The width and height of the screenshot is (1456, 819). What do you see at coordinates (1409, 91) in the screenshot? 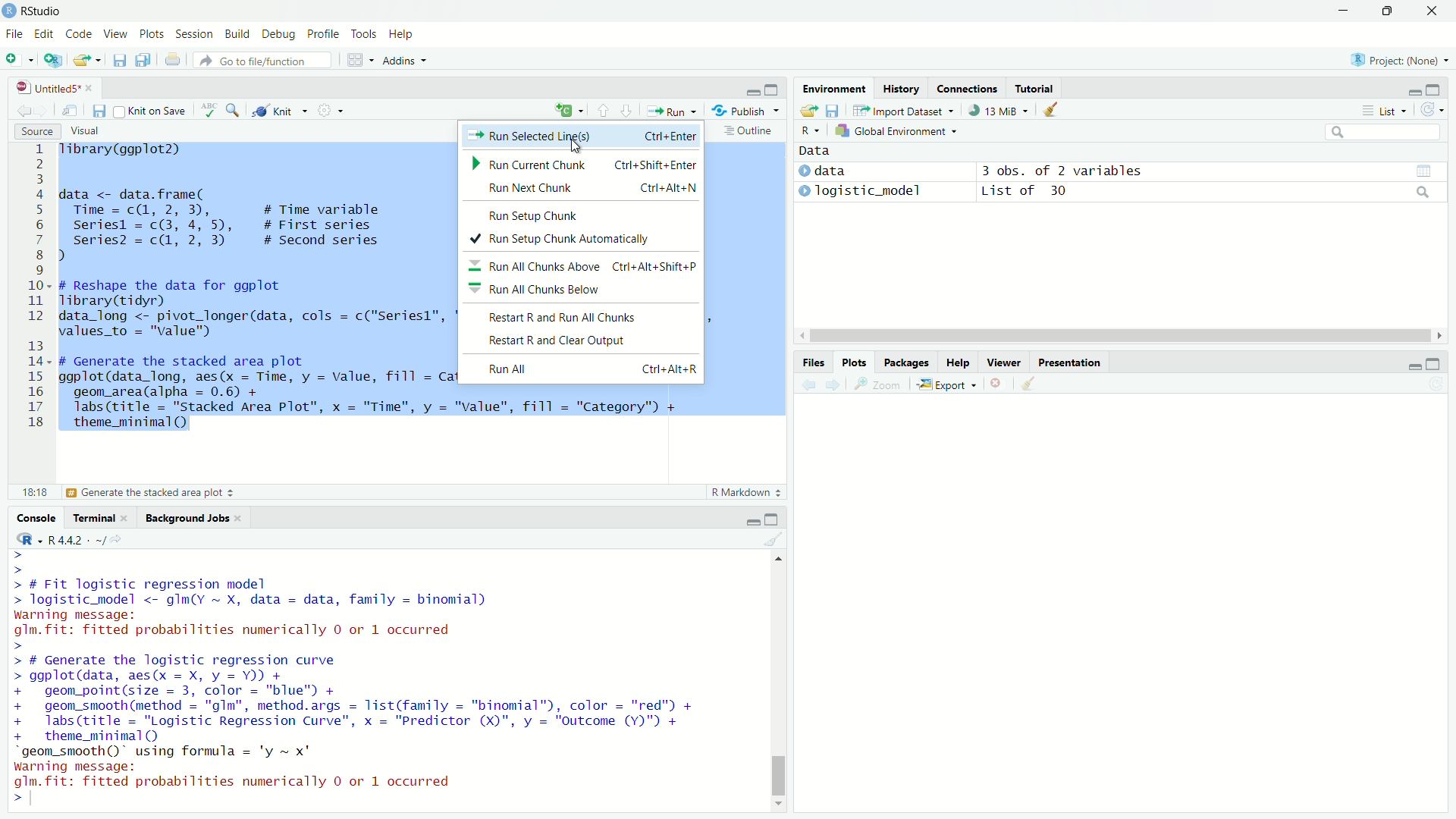
I see `minimise` at bounding box center [1409, 91].